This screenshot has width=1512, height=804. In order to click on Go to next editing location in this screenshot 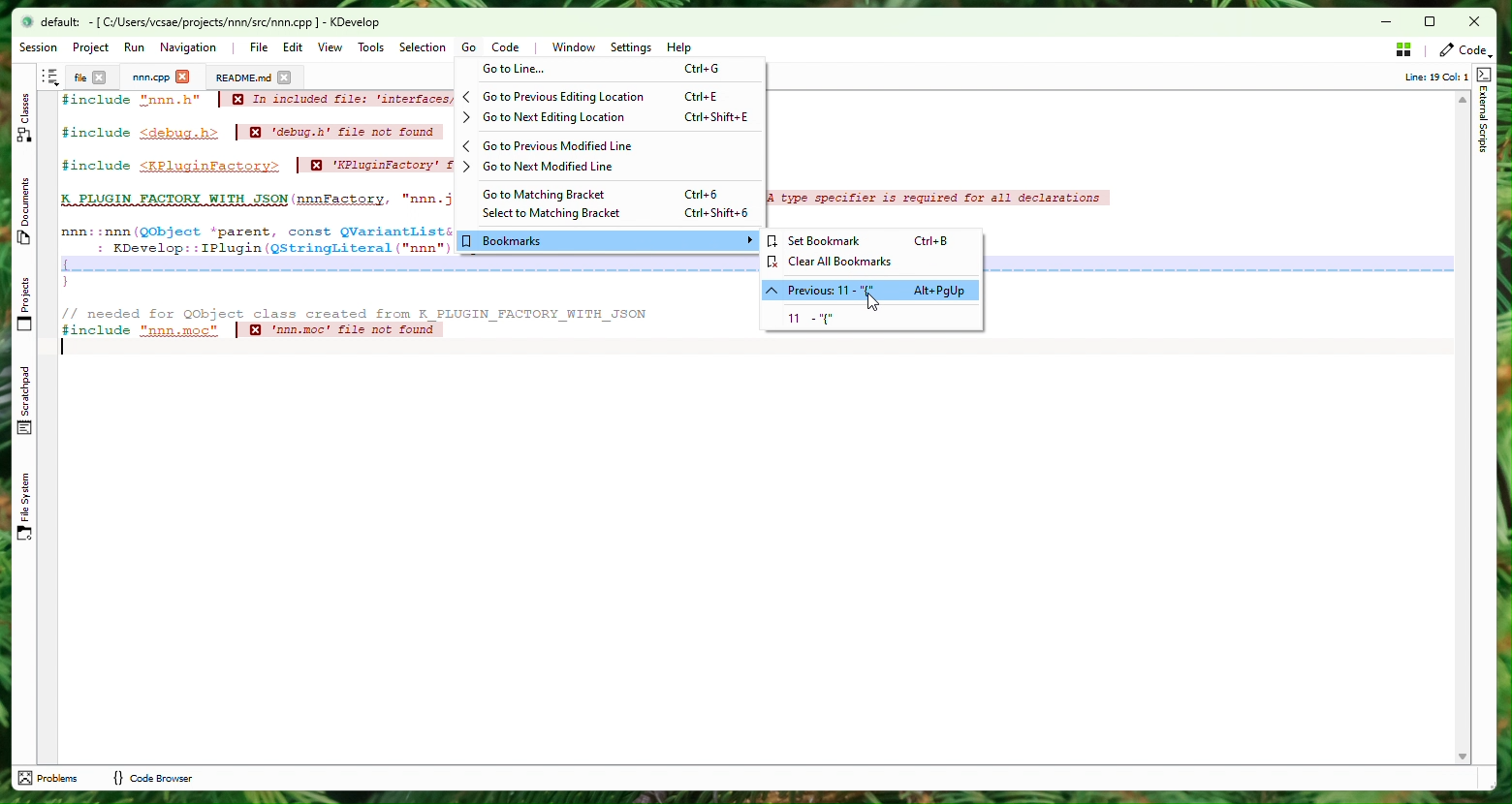, I will do `click(609, 116)`.